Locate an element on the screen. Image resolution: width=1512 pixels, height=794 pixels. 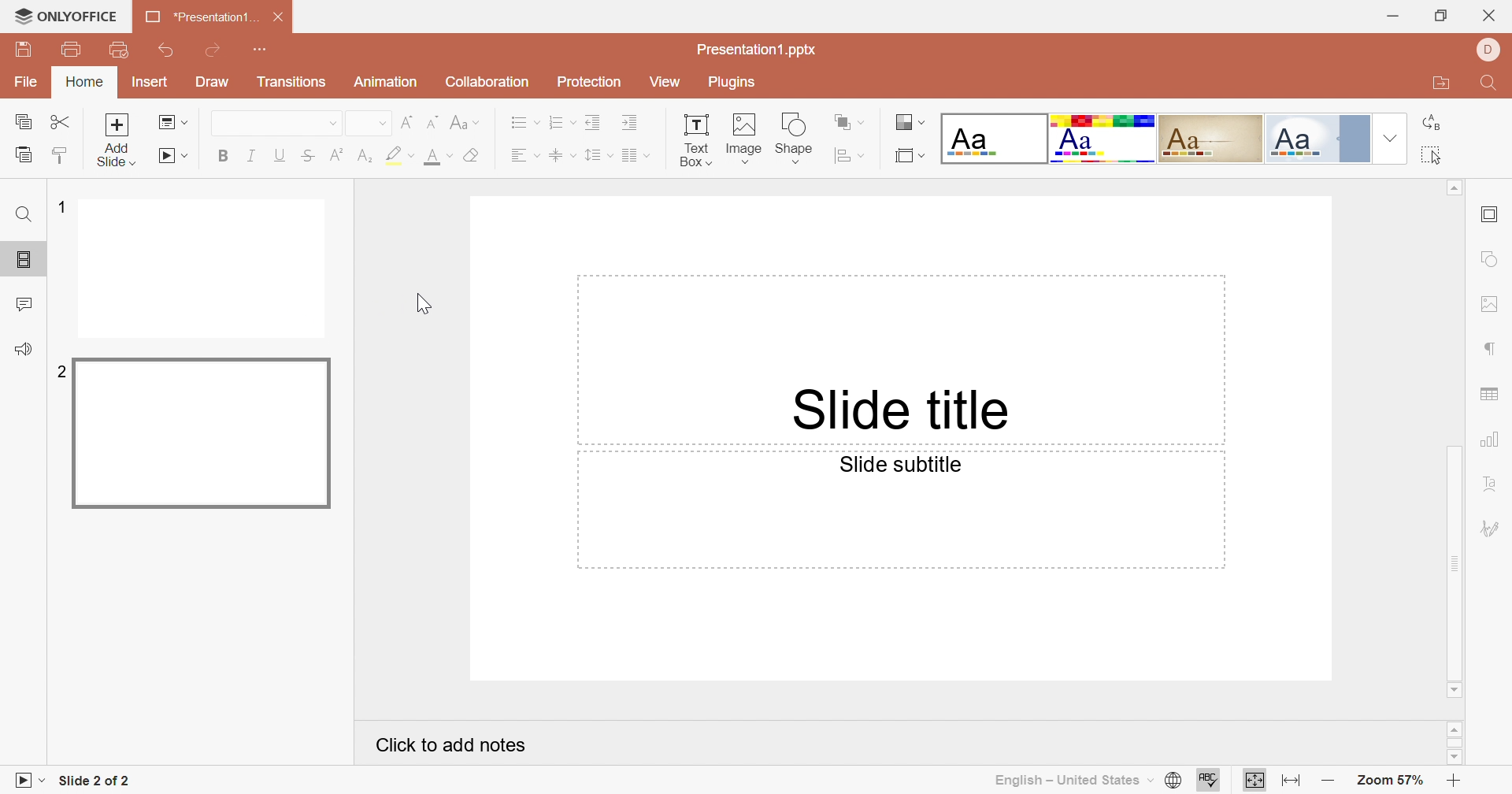
Copy Style is located at coordinates (61, 154).